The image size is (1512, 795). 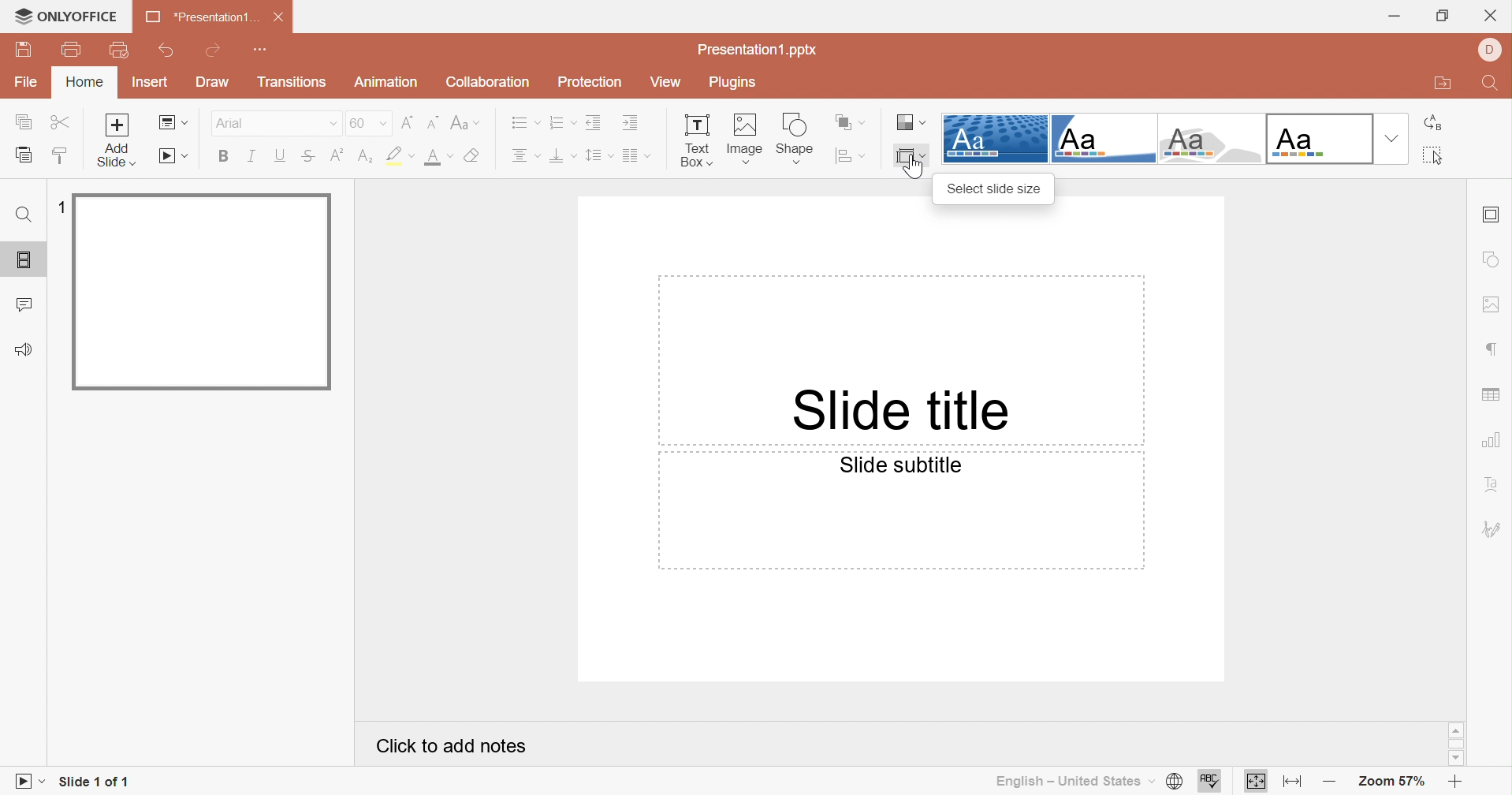 I want to click on ONLYOFFICE, so click(x=69, y=17).